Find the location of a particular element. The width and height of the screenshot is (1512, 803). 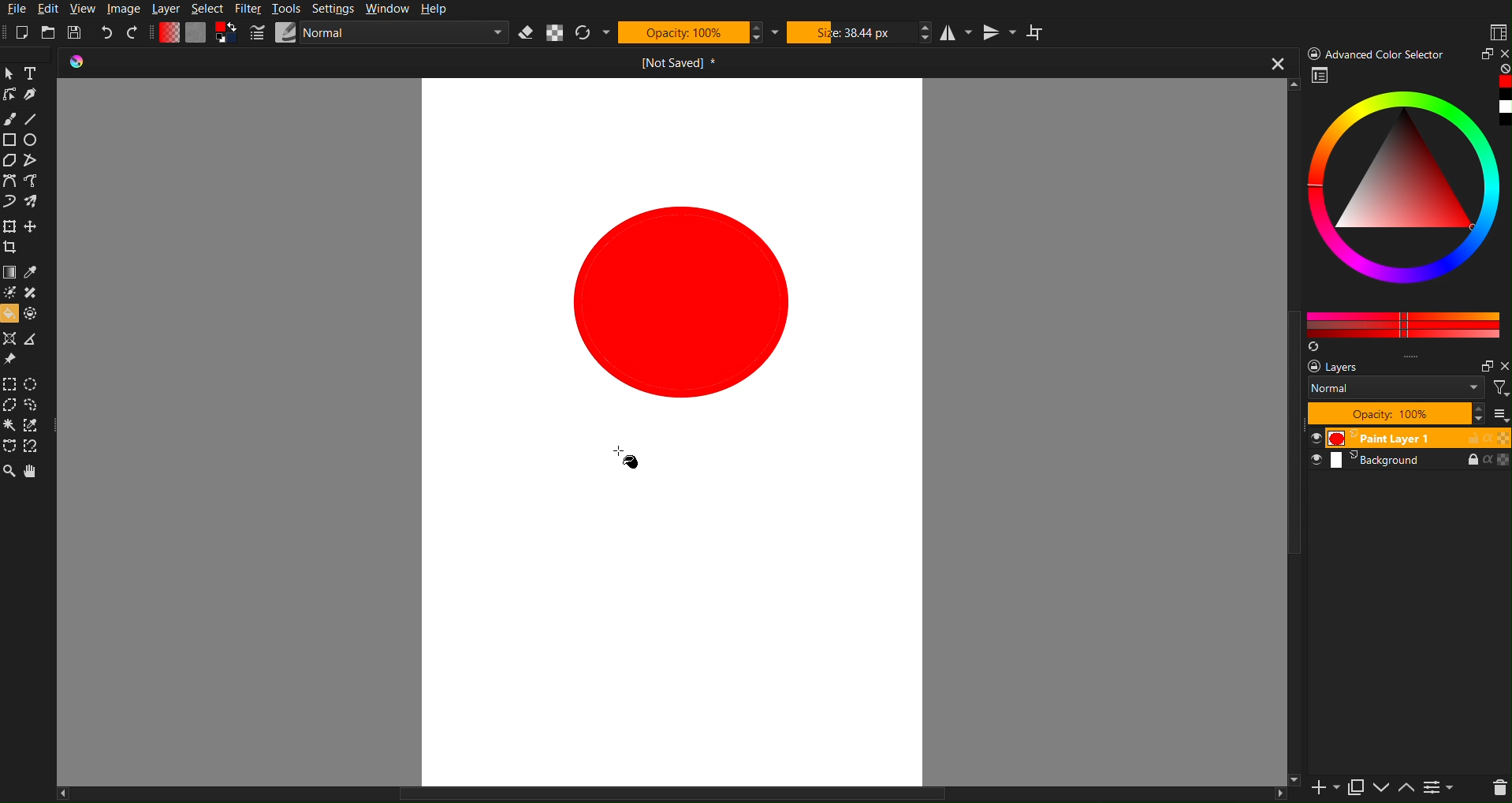

Refresh is located at coordinates (594, 35).